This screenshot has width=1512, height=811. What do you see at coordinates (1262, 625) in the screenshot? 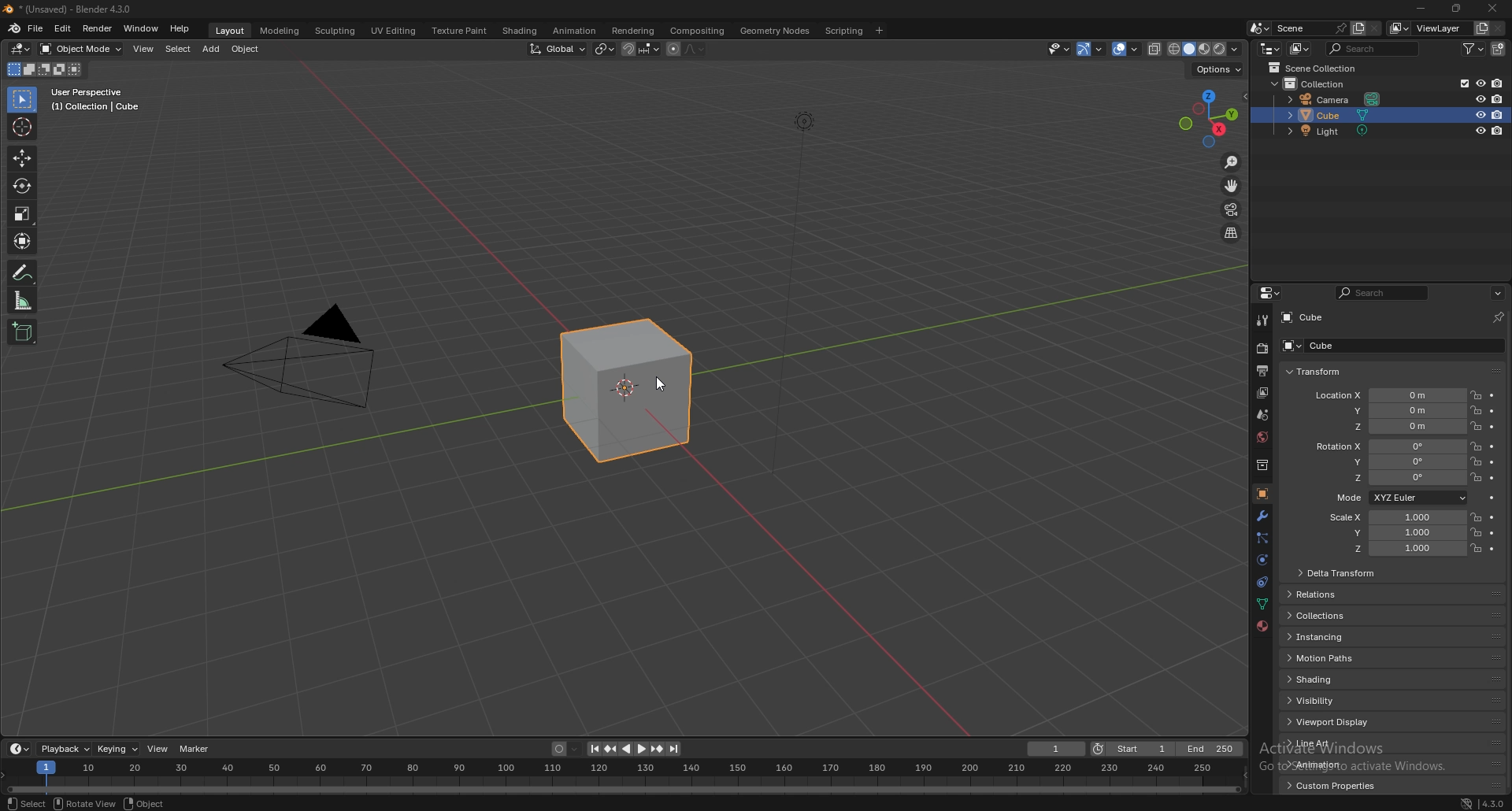
I see `material` at bounding box center [1262, 625].